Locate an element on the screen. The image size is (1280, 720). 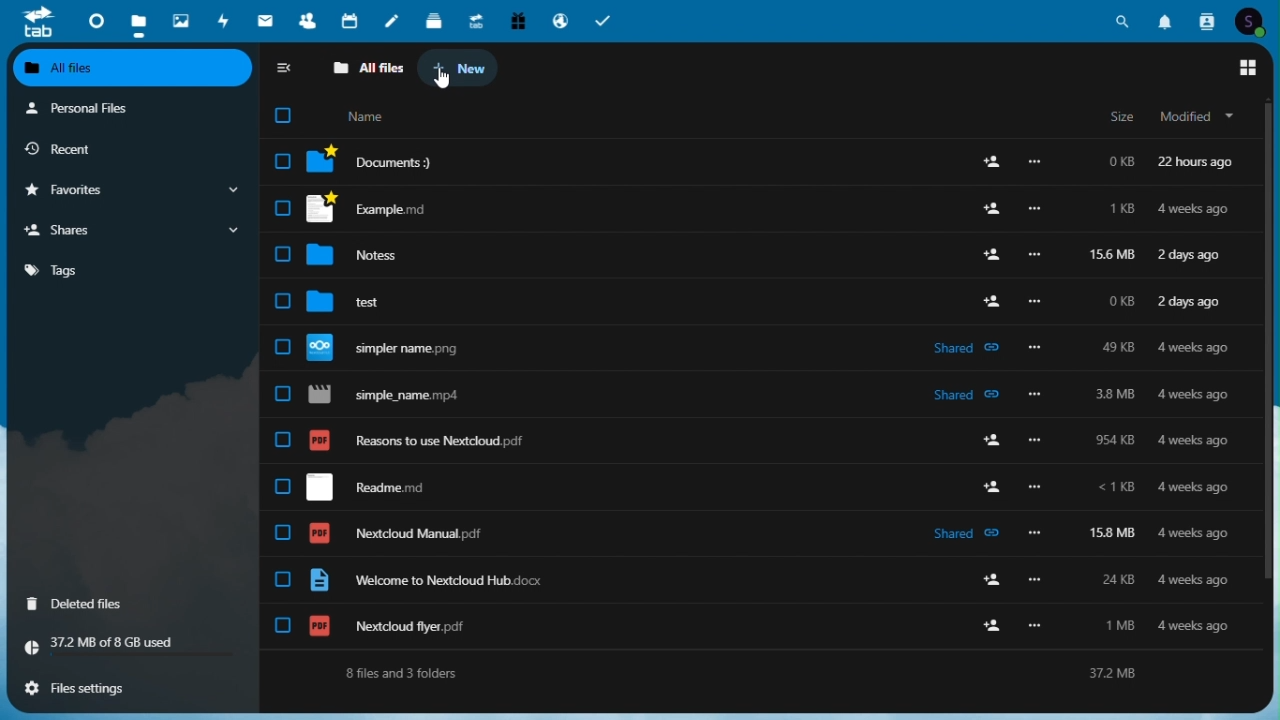
1 mb is located at coordinates (1118, 627).